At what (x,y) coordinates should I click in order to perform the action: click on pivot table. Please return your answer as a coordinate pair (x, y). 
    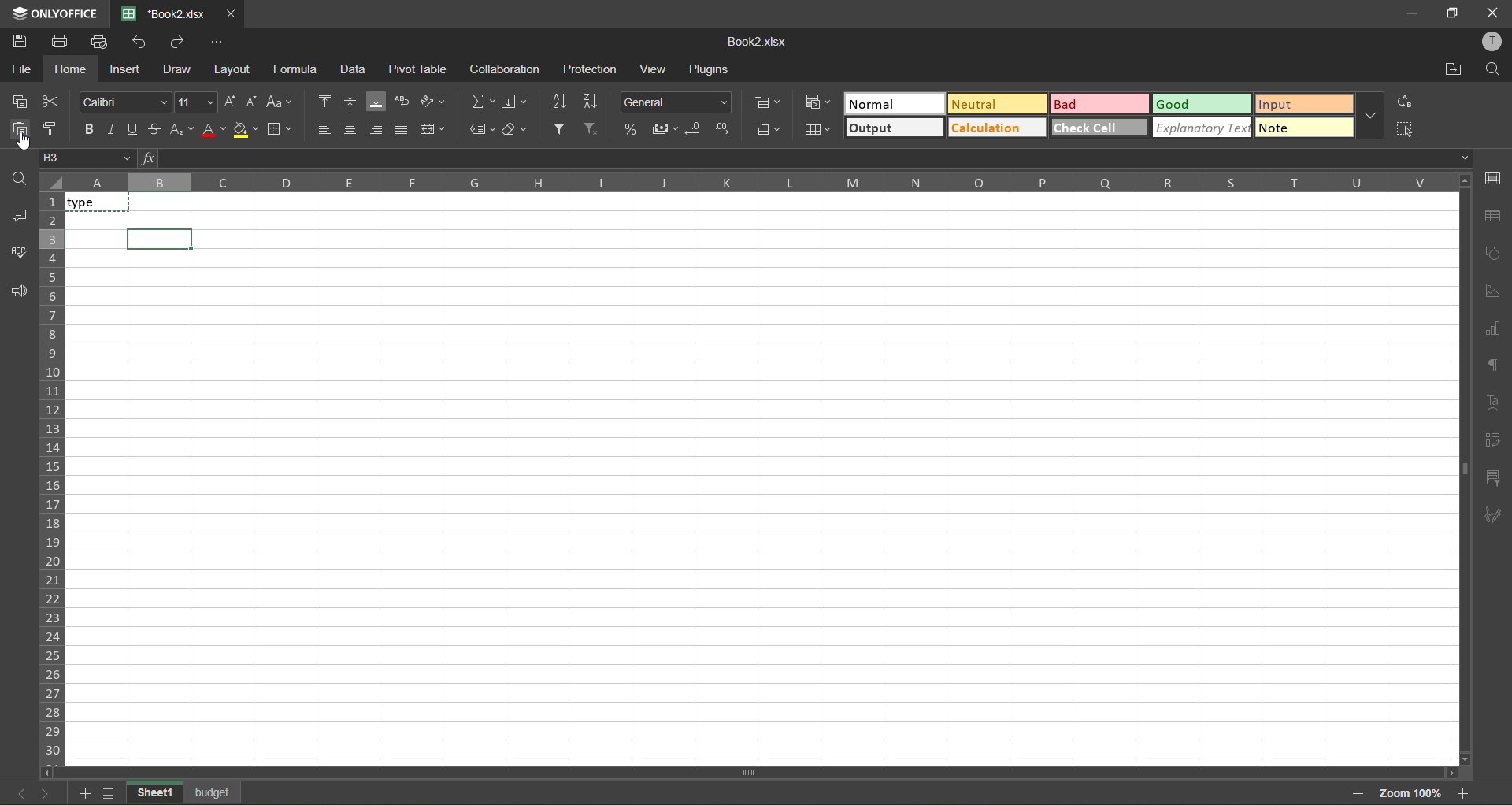
    Looking at the image, I should click on (1492, 438).